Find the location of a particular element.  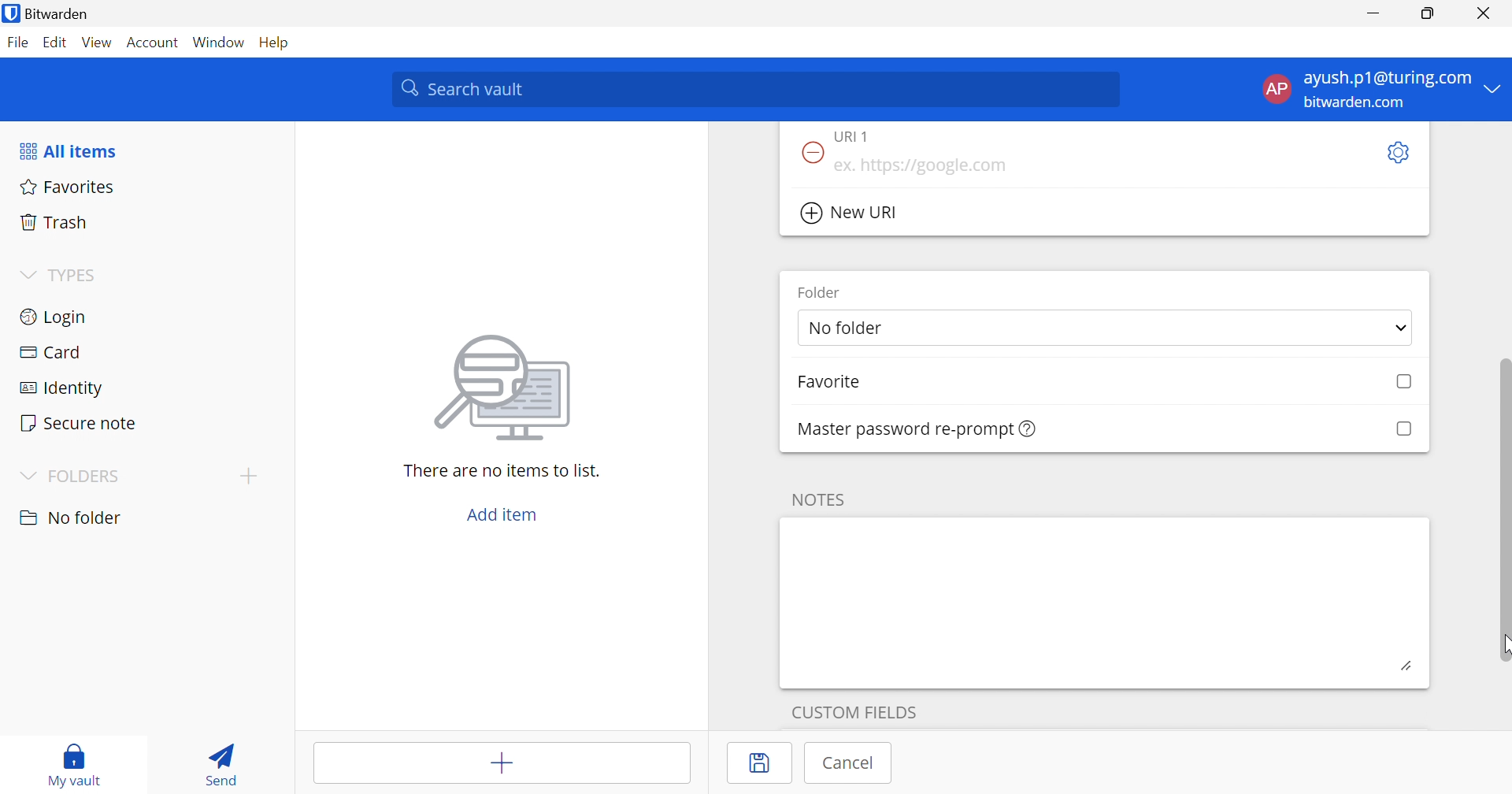

Cancel is located at coordinates (850, 762).